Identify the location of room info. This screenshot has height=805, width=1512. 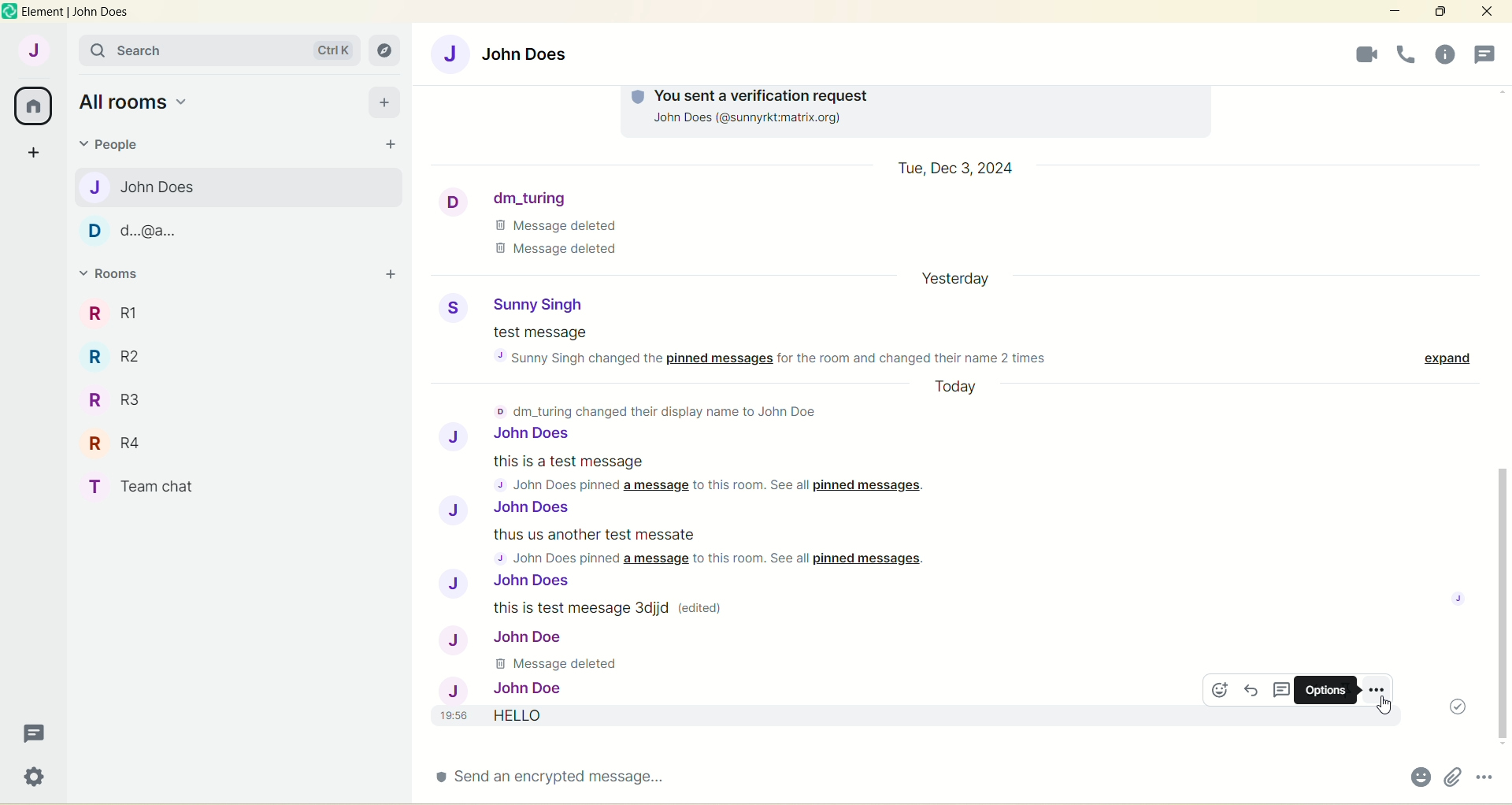
(1405, 54).